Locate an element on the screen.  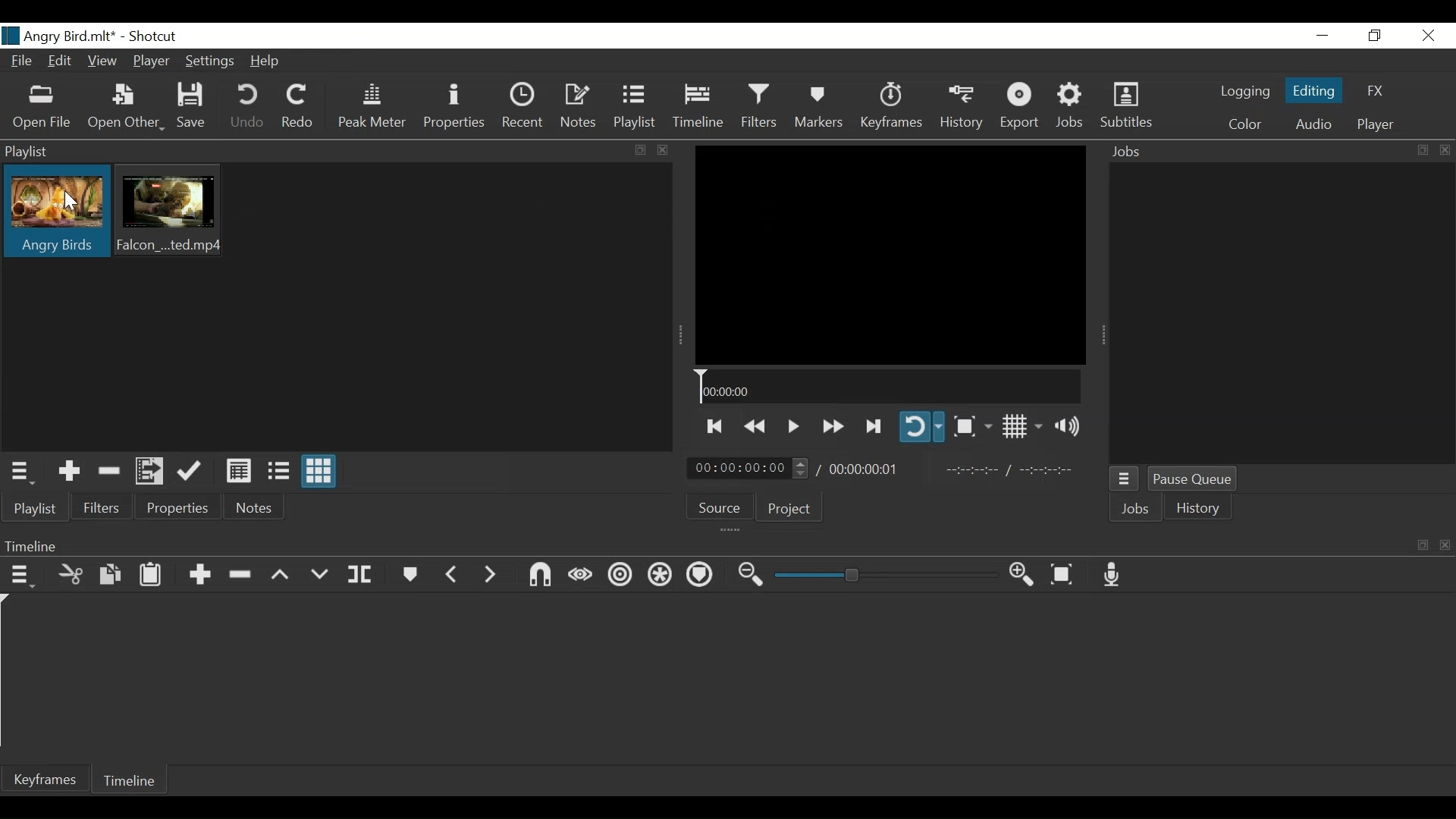
Settings is located at coordinates (212, 61).